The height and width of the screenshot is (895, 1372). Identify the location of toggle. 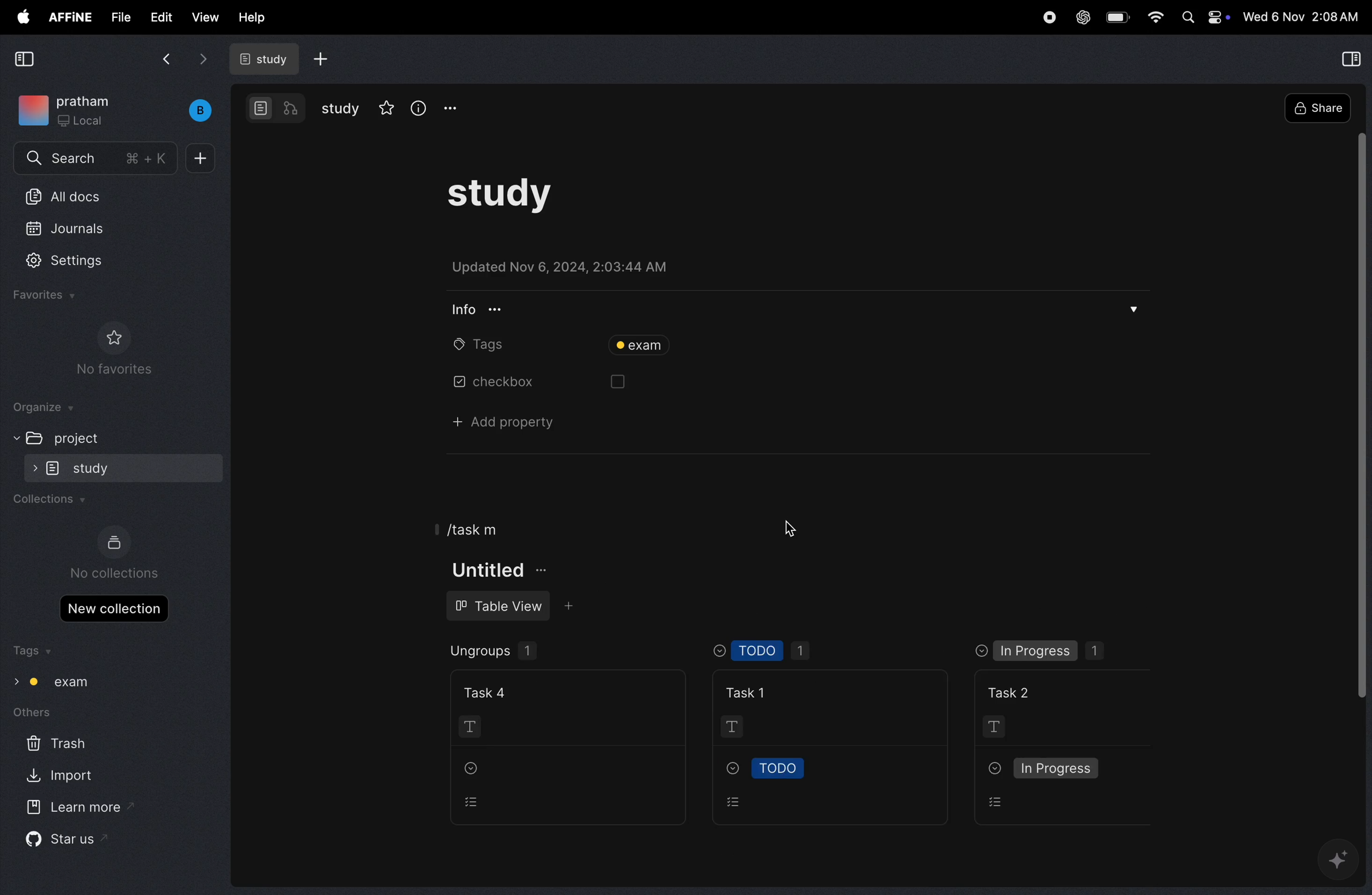
(1359, 416).